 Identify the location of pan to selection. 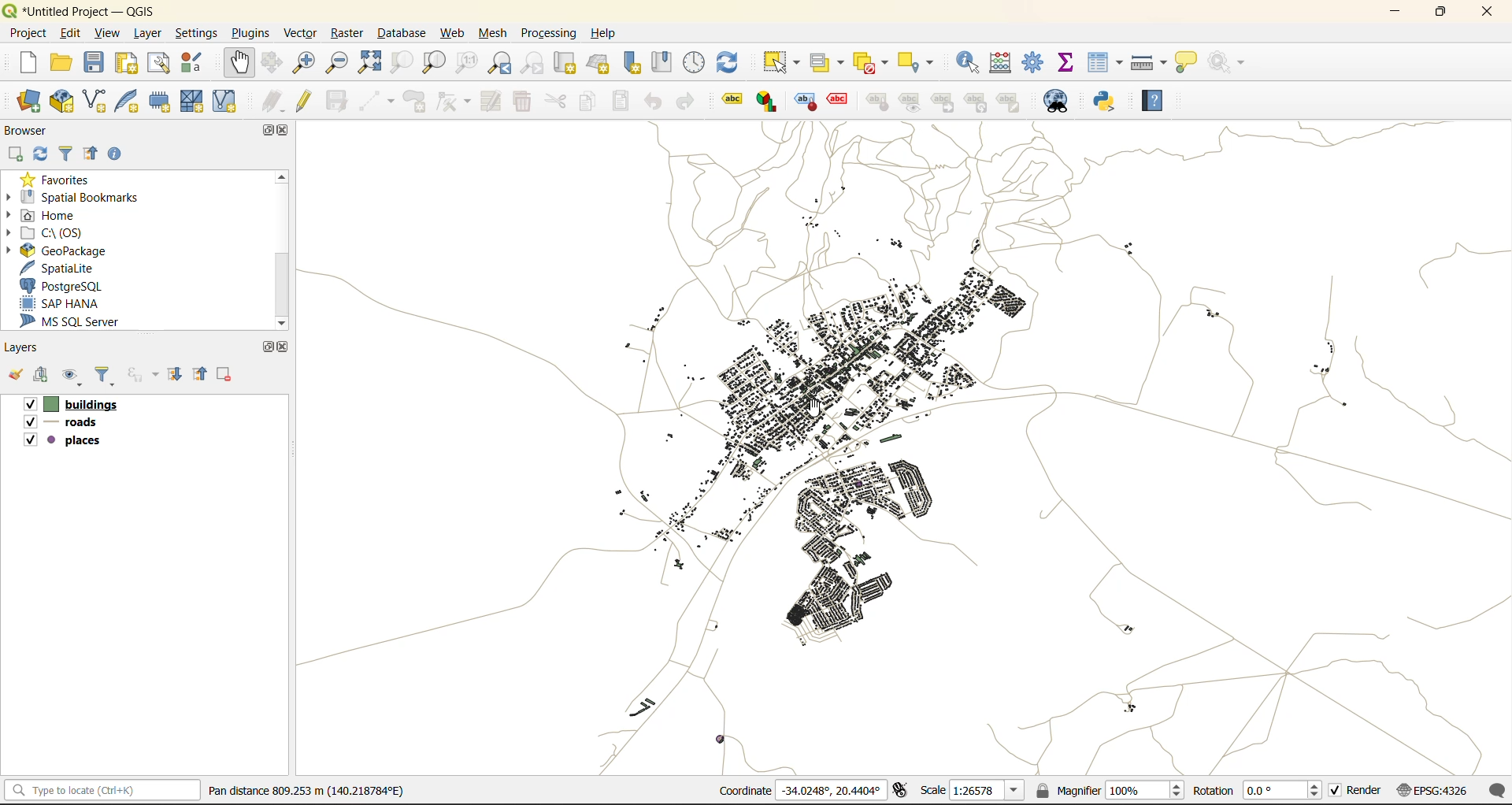
(277, 62).